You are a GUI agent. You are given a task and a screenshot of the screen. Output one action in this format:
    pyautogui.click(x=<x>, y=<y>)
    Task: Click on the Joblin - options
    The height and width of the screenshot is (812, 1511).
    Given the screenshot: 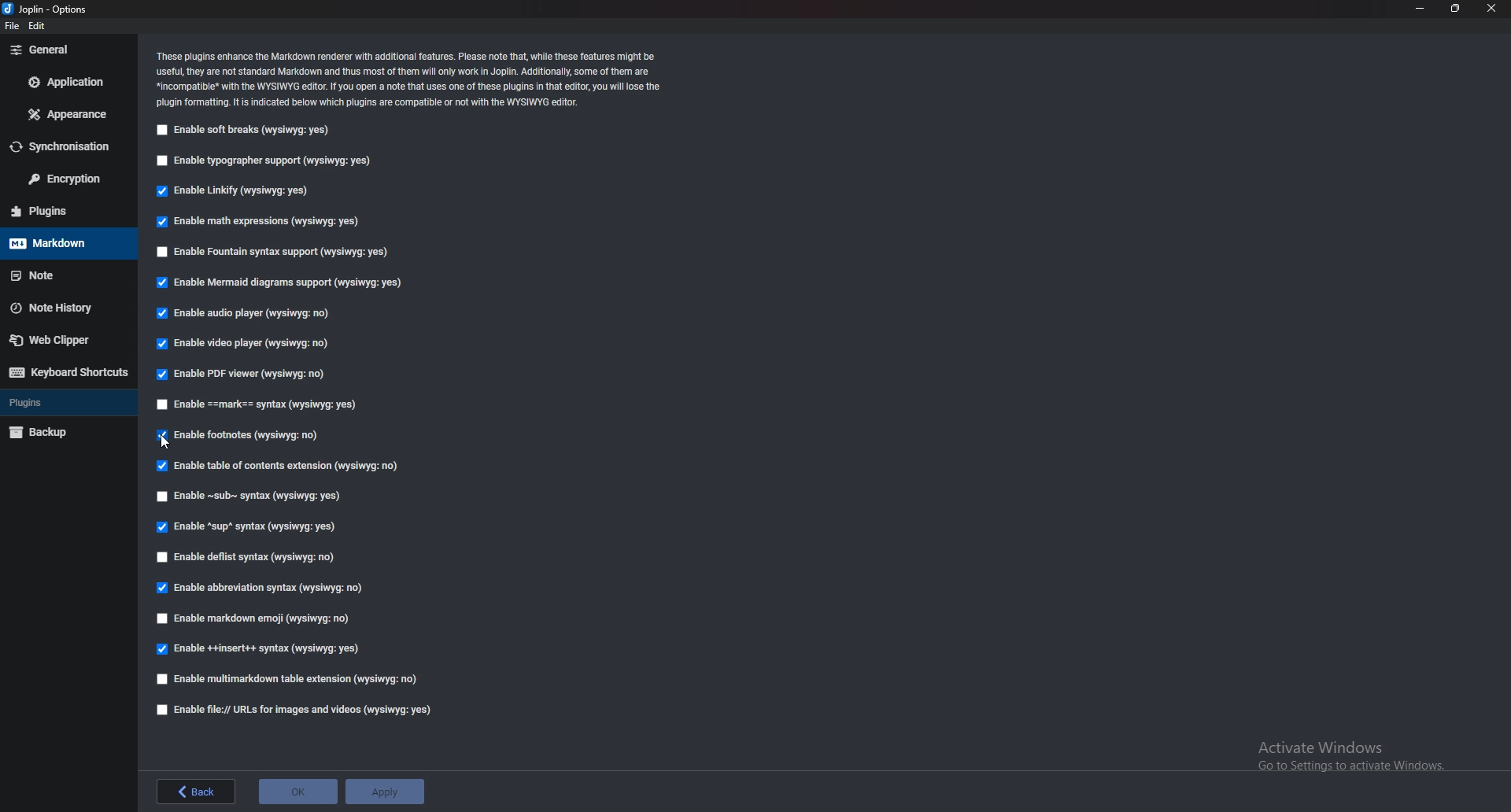 What is the action you would take?
    pyautogui.click(x=49, y=10)
    